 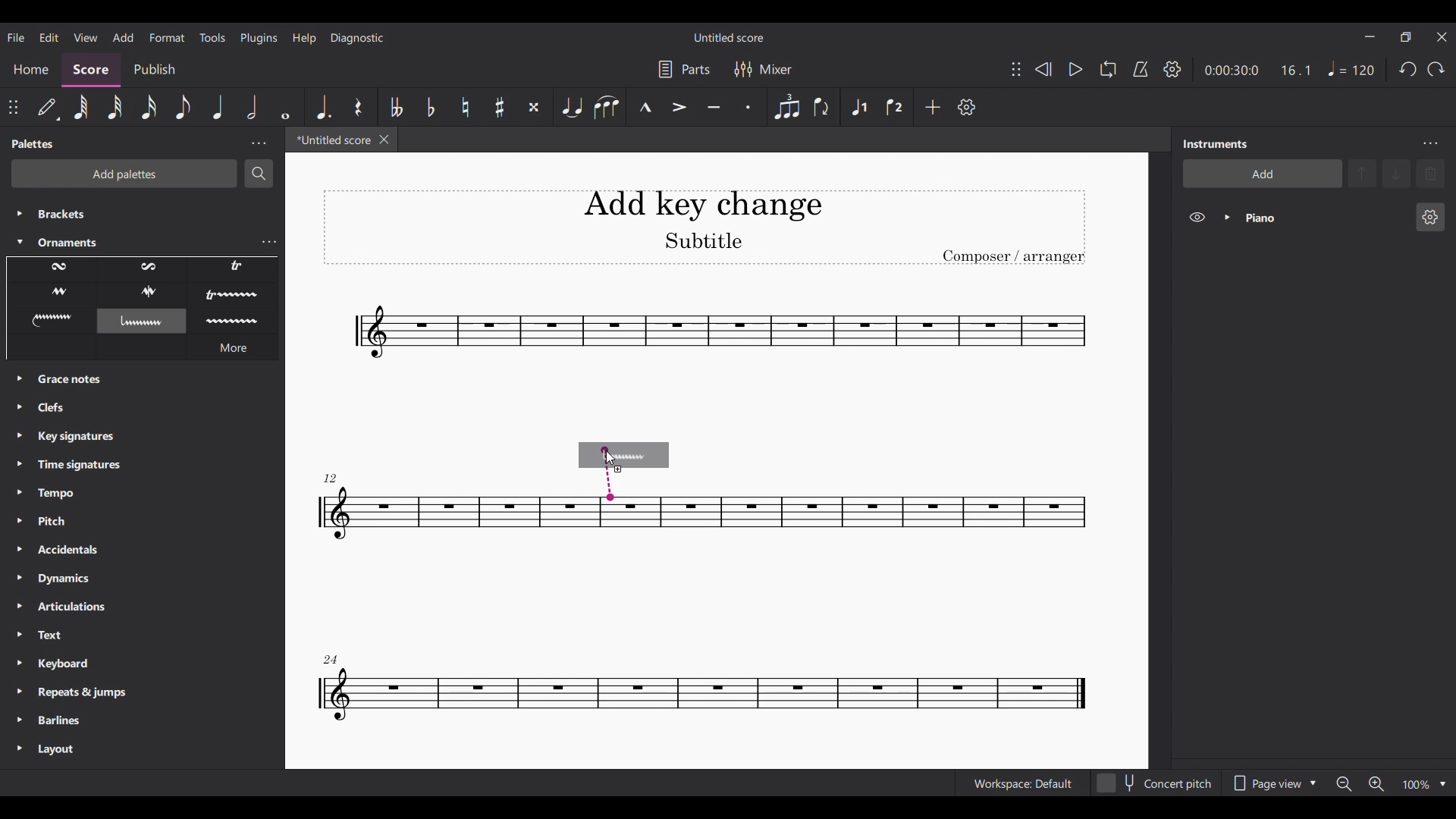 What do you see at coordinates (1417, 786) in the screenshot?
I see `Current zoom factor` at bounding box center [1417, 786].